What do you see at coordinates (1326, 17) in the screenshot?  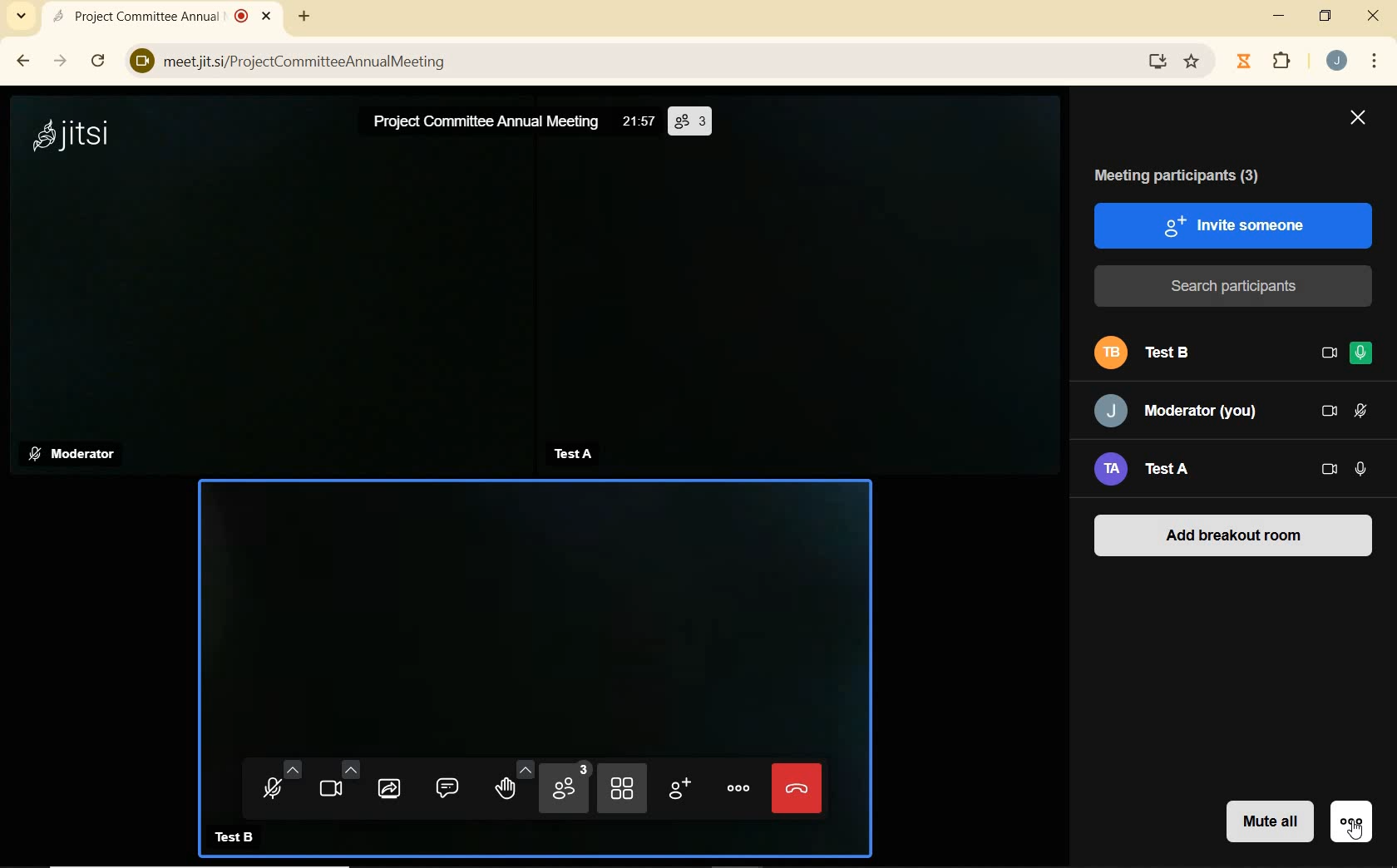 I see `RESTORE DOWN` at bounding box center [1326, 17].